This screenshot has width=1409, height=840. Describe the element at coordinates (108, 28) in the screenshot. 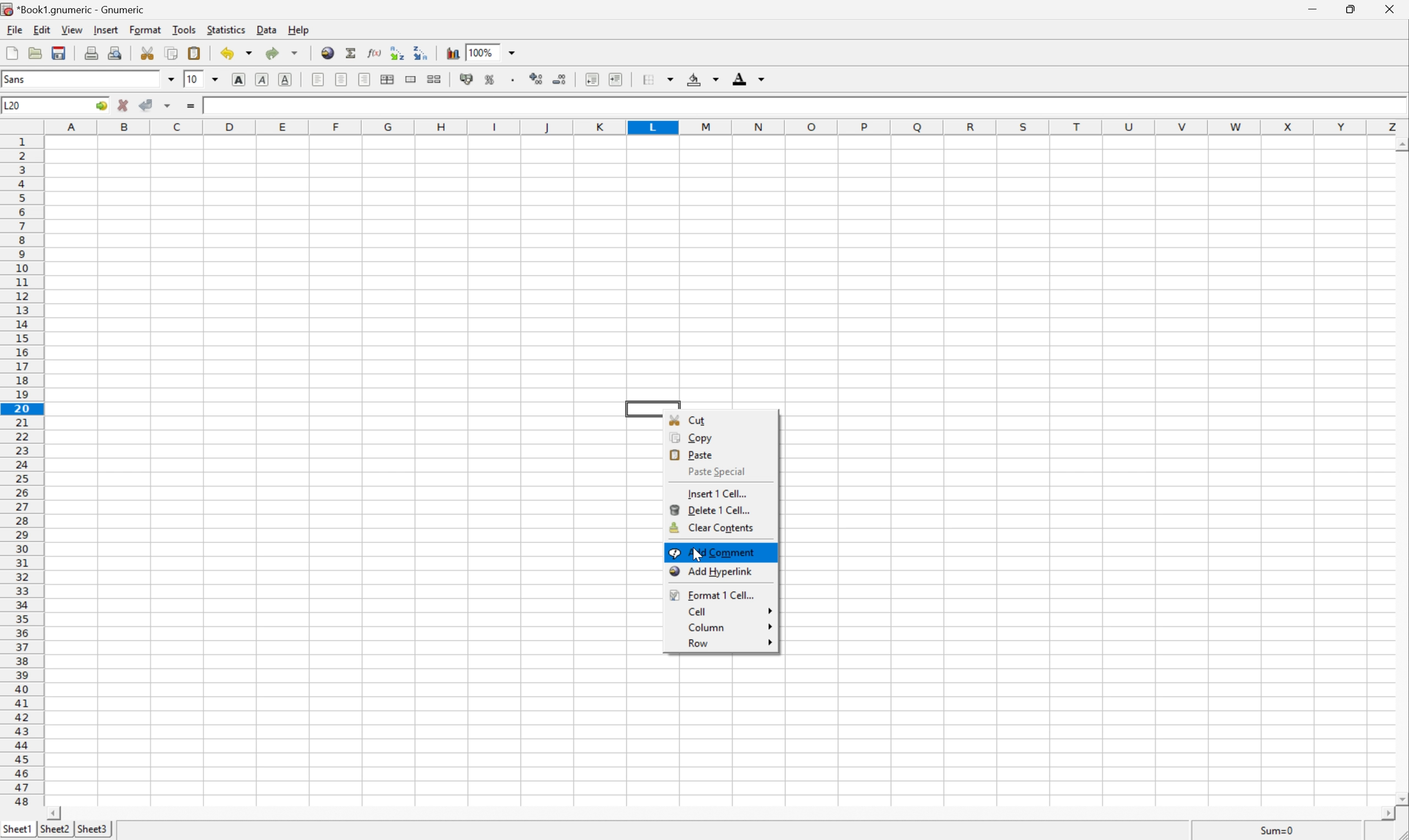

I see `Insert` at that location.